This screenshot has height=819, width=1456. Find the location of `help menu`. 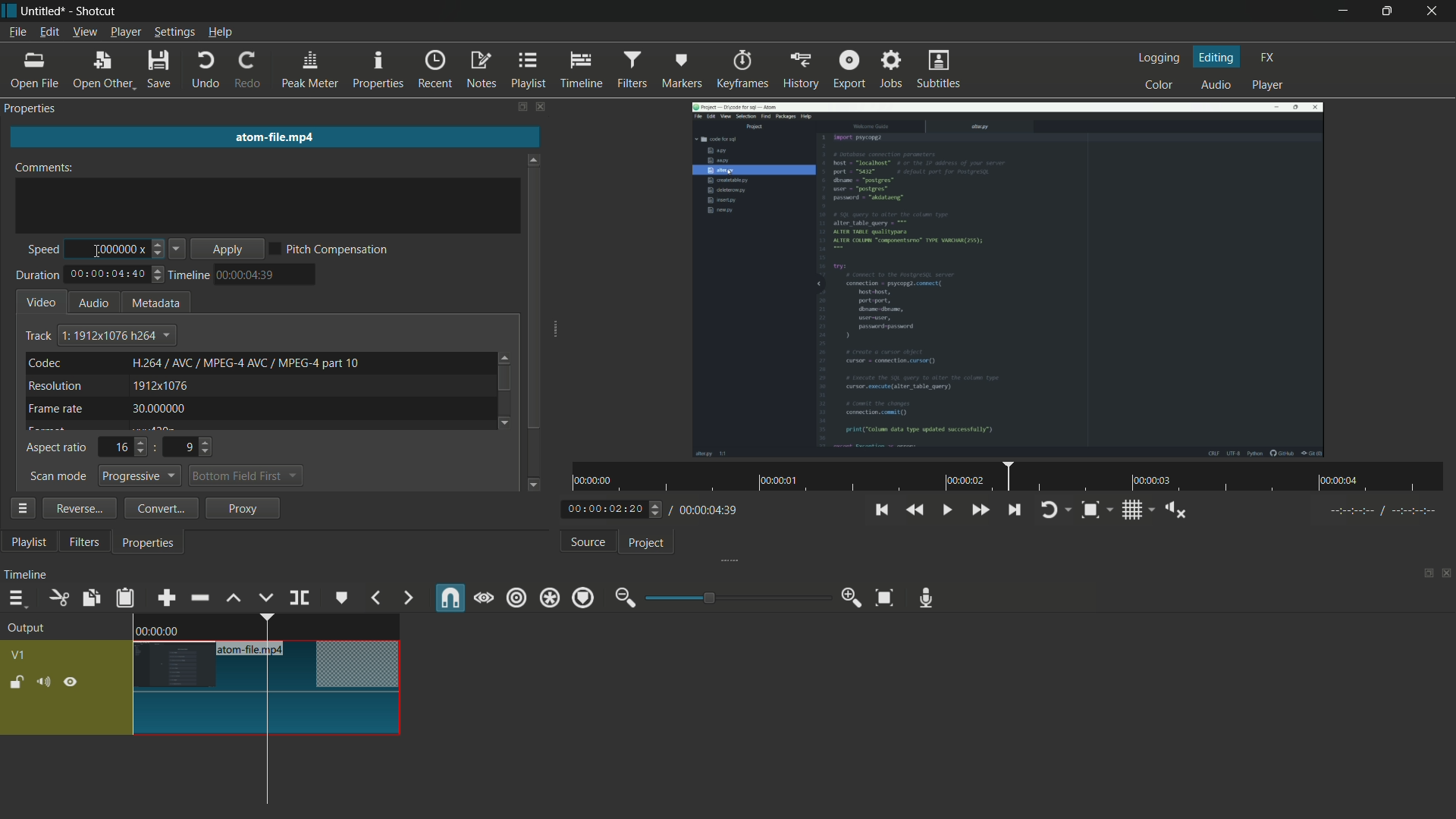

help menu is located at coordinates (221, 32).